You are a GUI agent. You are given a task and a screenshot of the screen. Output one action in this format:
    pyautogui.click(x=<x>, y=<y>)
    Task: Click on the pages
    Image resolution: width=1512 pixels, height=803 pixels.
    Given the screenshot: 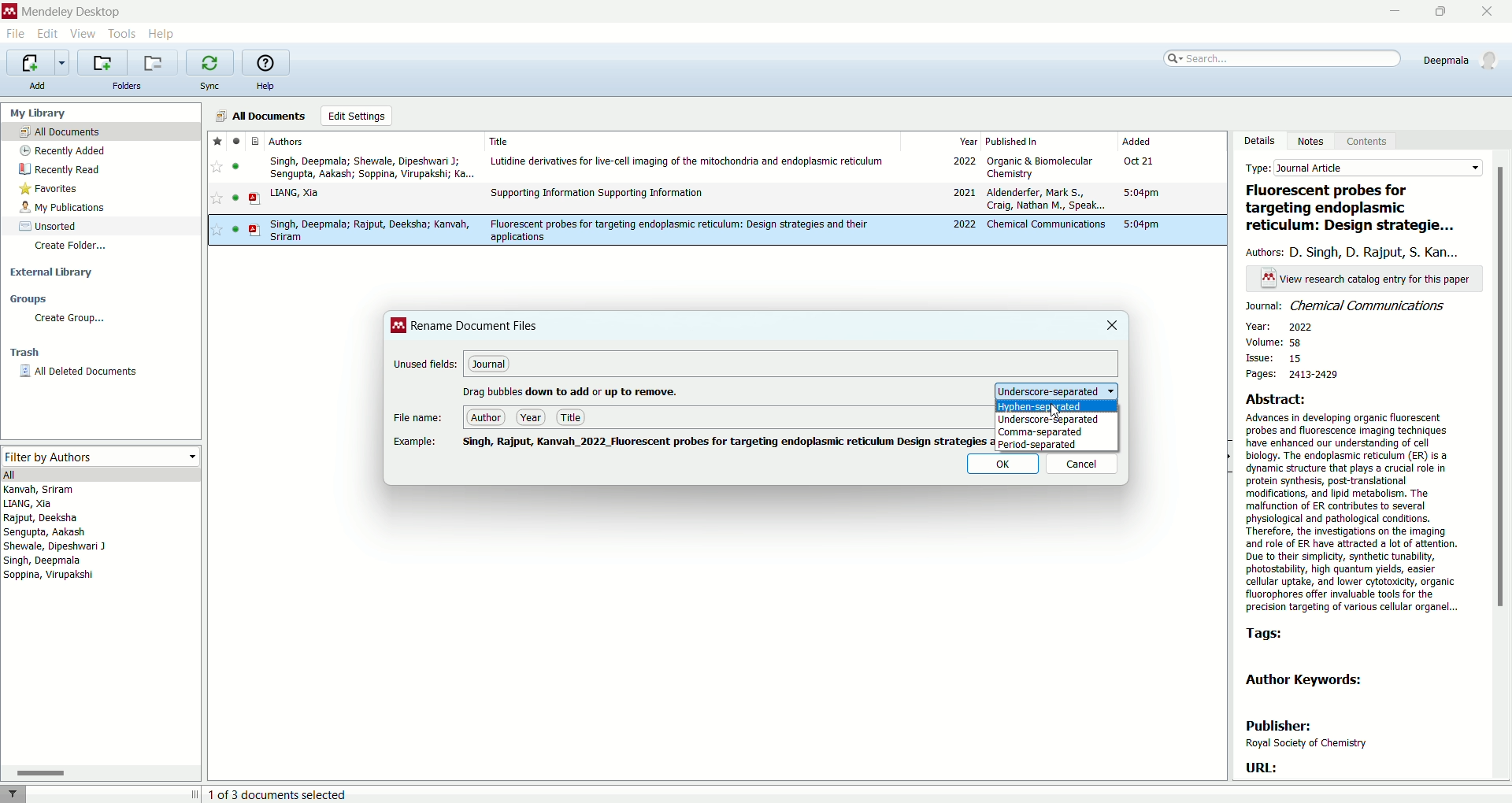 What is the action you would take?
    pyautogui.click(x=1291, y=377)
    